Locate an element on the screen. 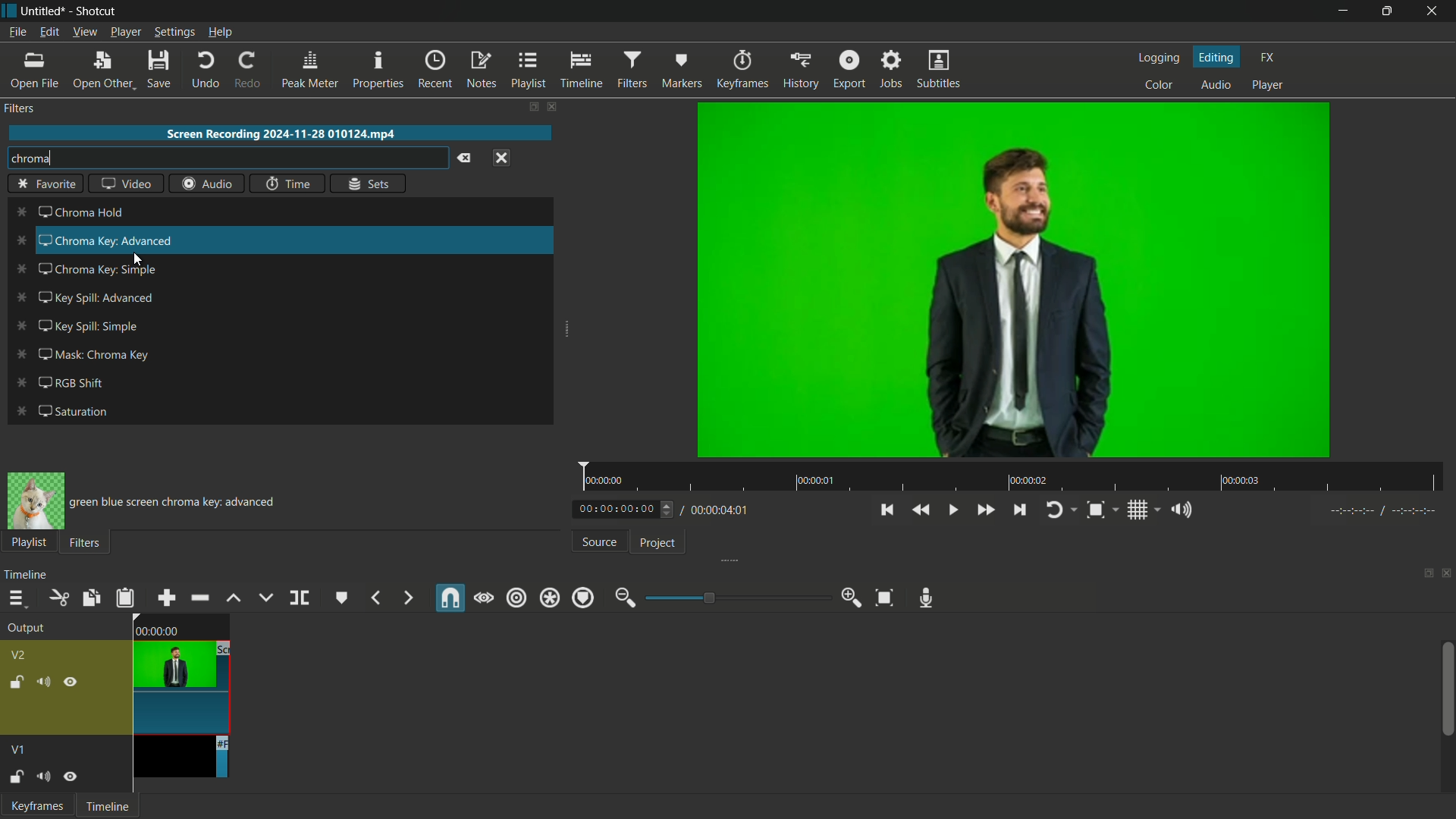  v2 is located at coordinates (22, 655).